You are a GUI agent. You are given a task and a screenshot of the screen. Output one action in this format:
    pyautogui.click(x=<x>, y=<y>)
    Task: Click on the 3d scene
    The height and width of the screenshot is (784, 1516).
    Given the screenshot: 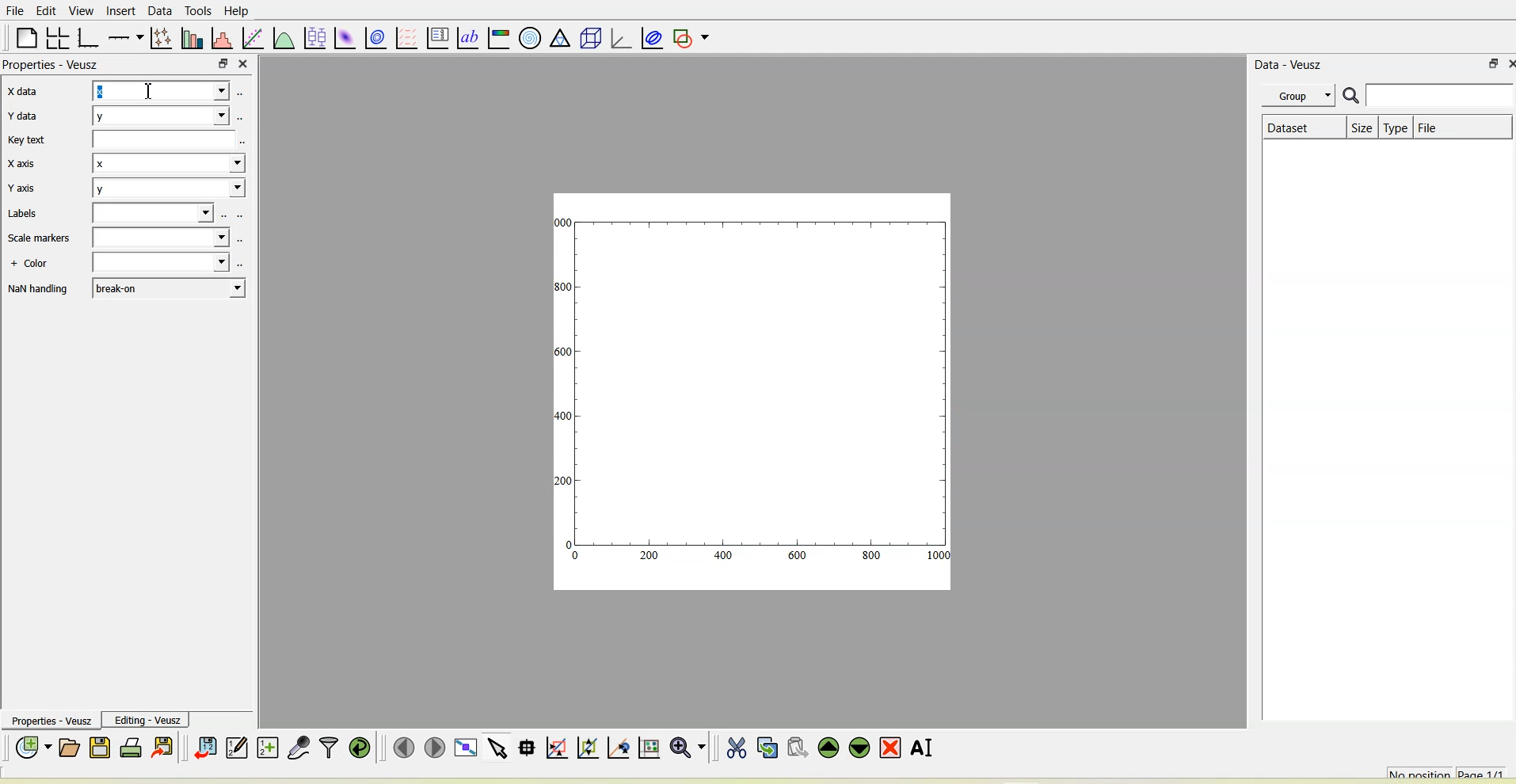 What is the action you would take?
    pyautogui.click(x=588, y=37)
    